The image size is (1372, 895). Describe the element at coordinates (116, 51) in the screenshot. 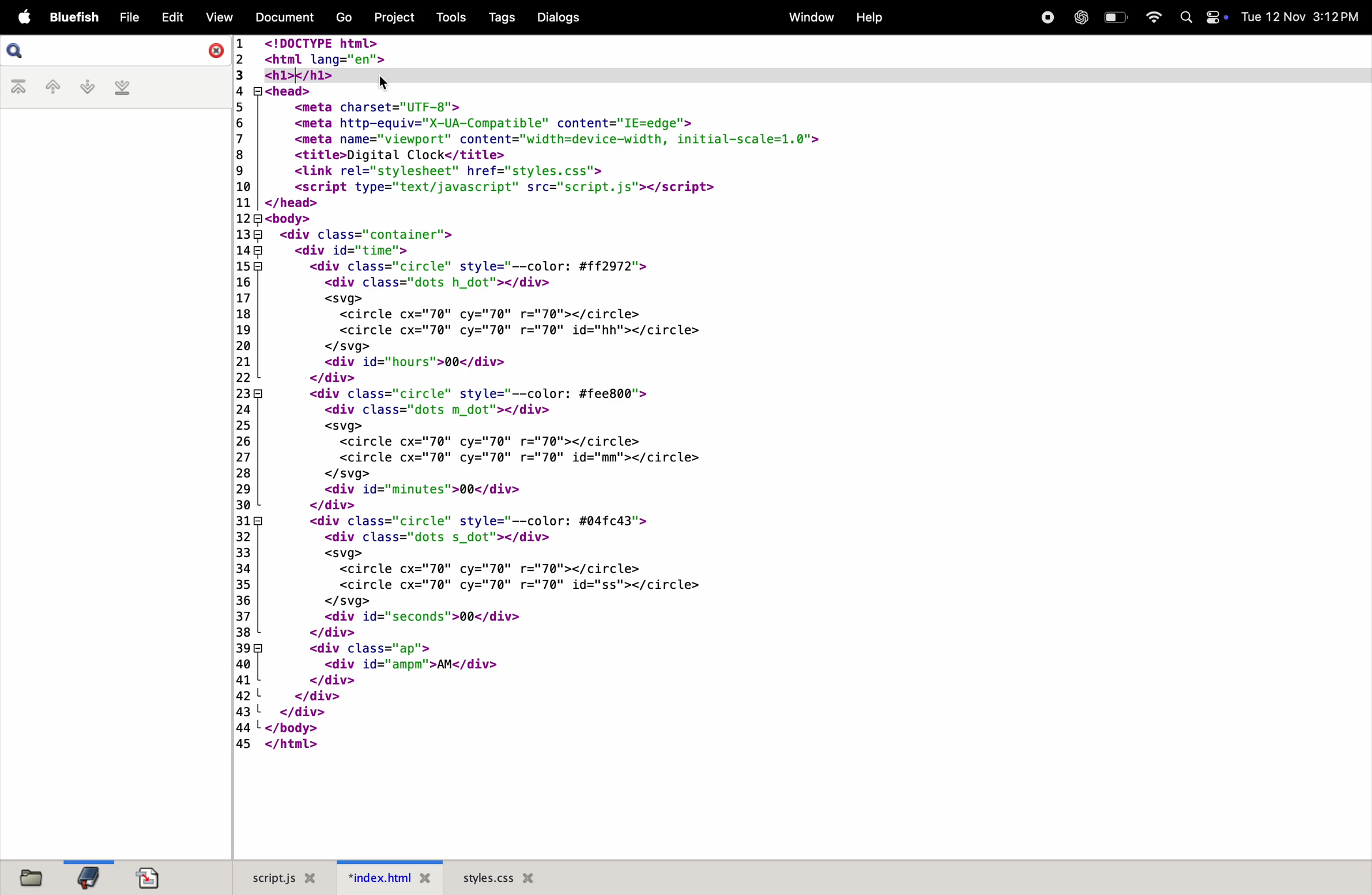

I see `search ` at that location.